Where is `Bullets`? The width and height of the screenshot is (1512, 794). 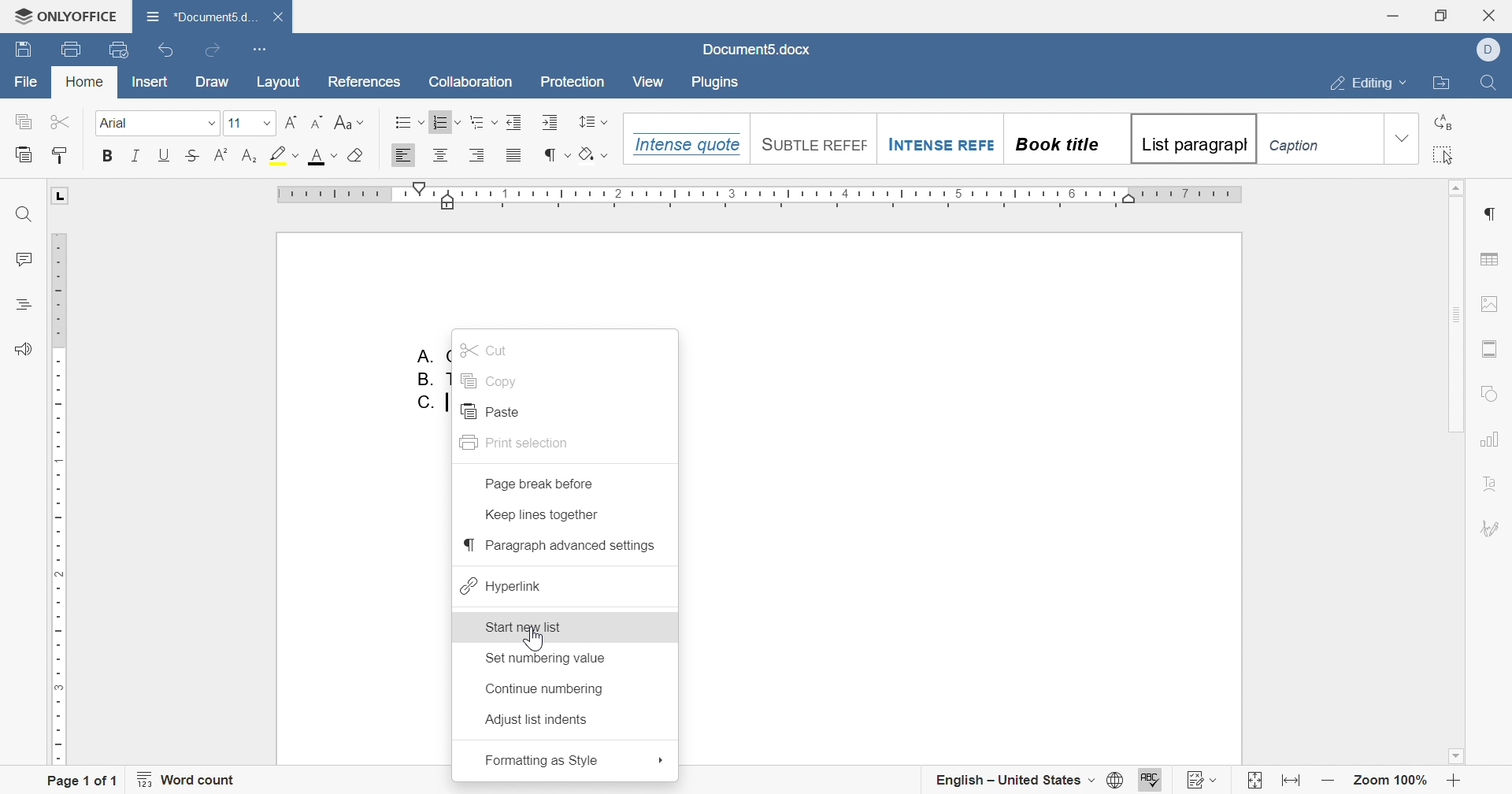 Bullets is located at coordinates (407, 121).